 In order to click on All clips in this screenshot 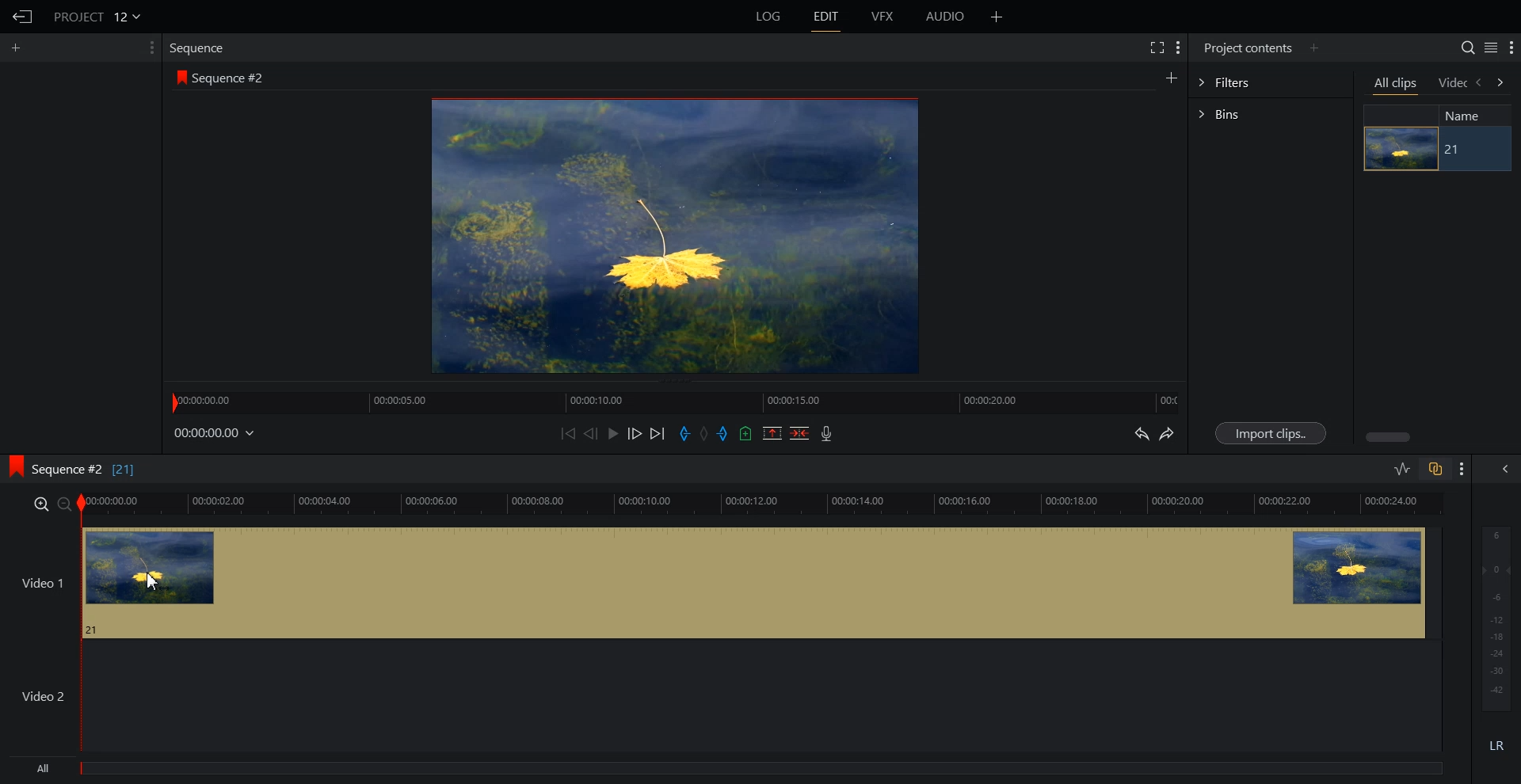, I will do `click(1397, 86)`.